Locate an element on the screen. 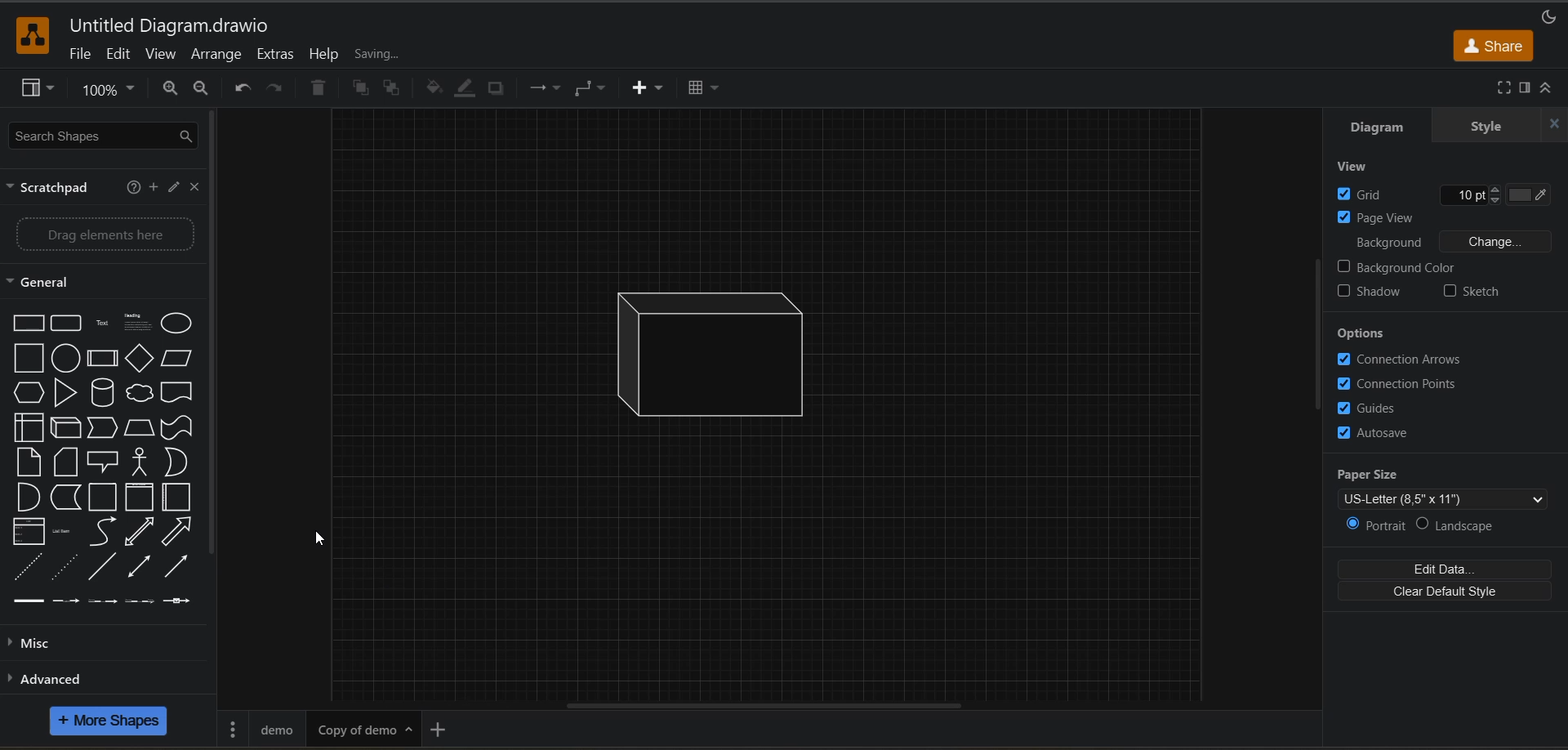 Image resolution: width=1568 pixels, height=750 pixels. options is located at coordinates (1394, 334).